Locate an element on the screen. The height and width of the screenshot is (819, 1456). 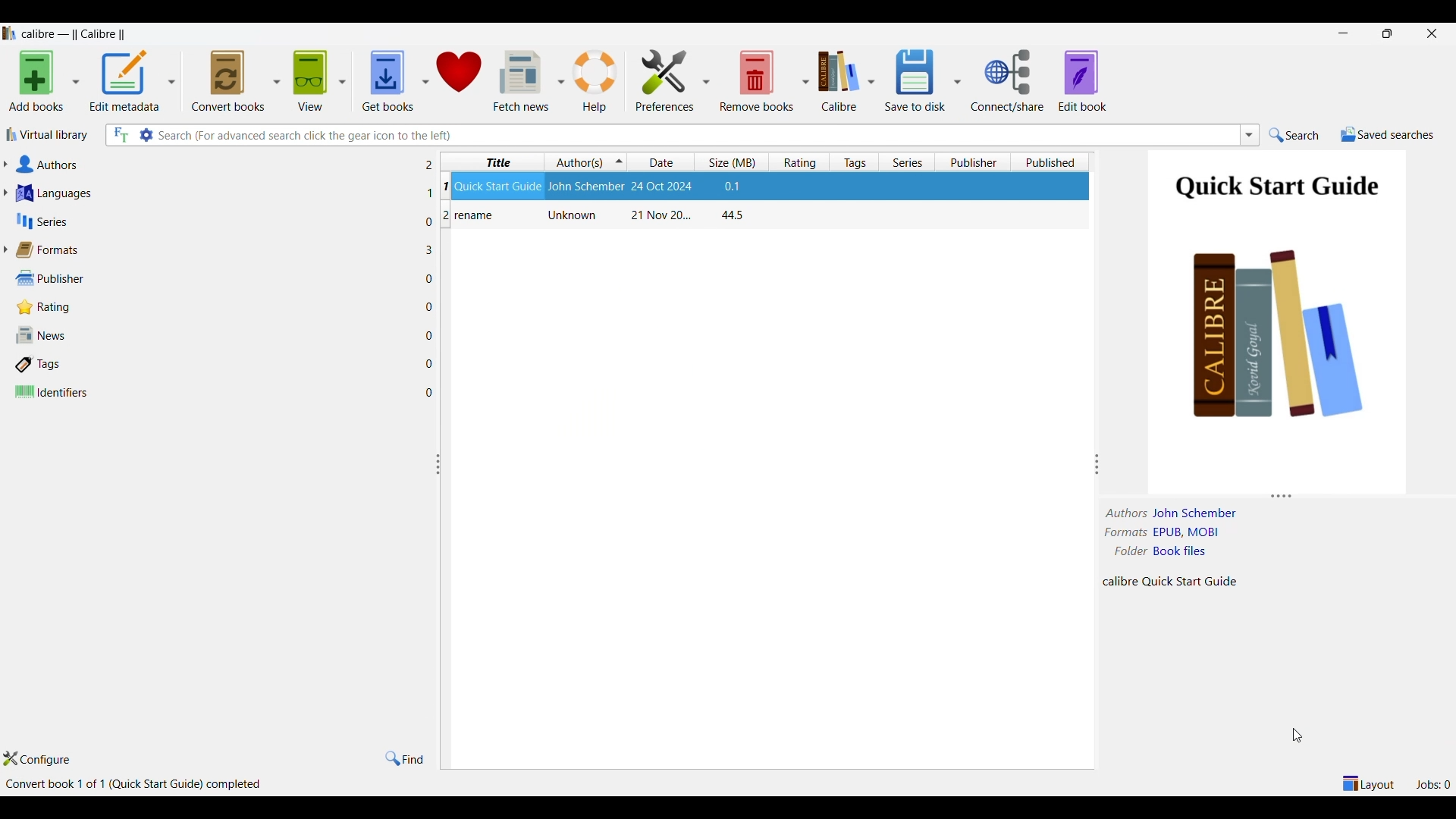
Connect share is located at coordinates (1009, 80).